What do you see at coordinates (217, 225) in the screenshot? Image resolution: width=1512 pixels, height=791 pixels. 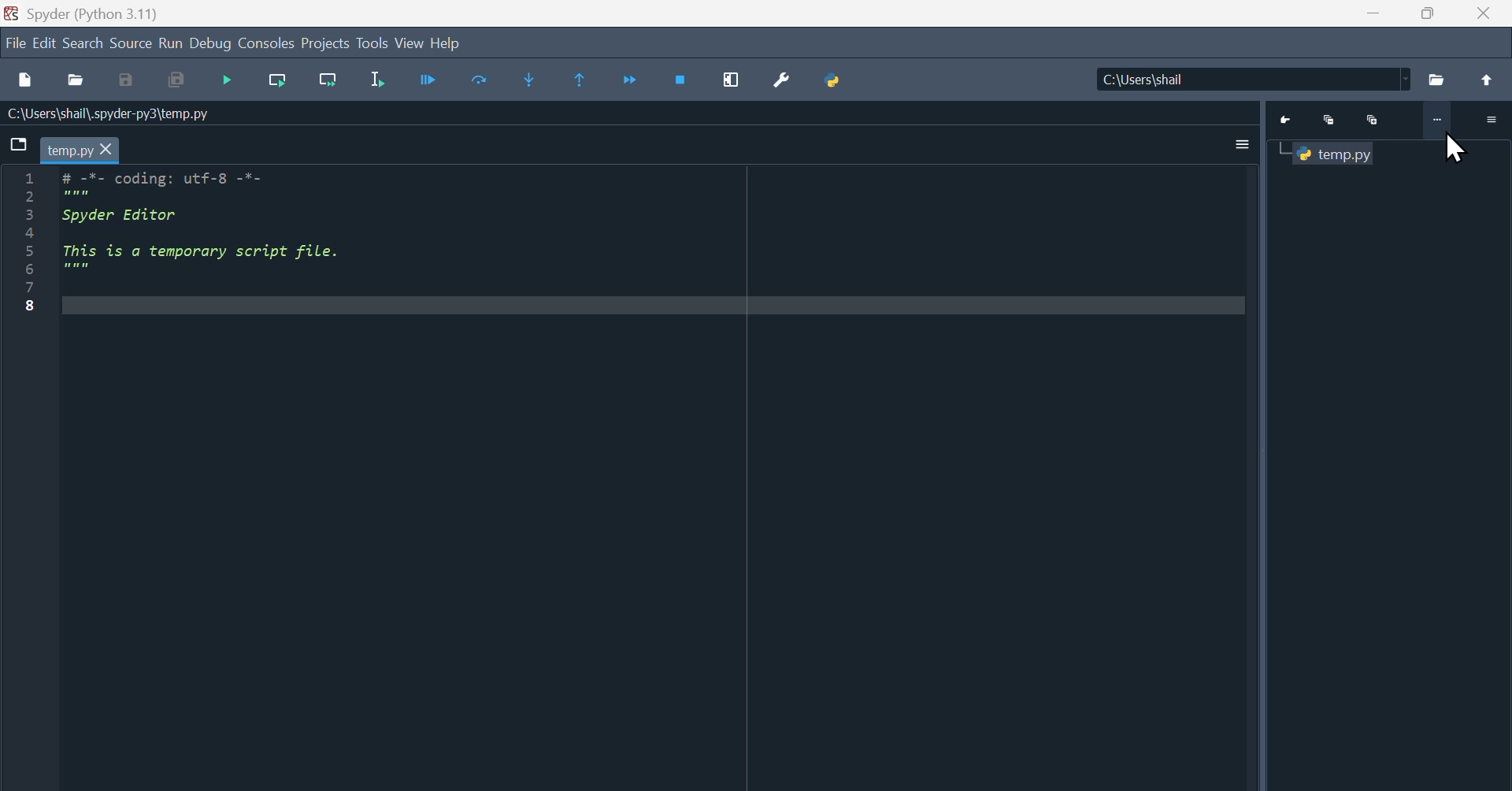 I see `Code` at bounding box center [217, 225].